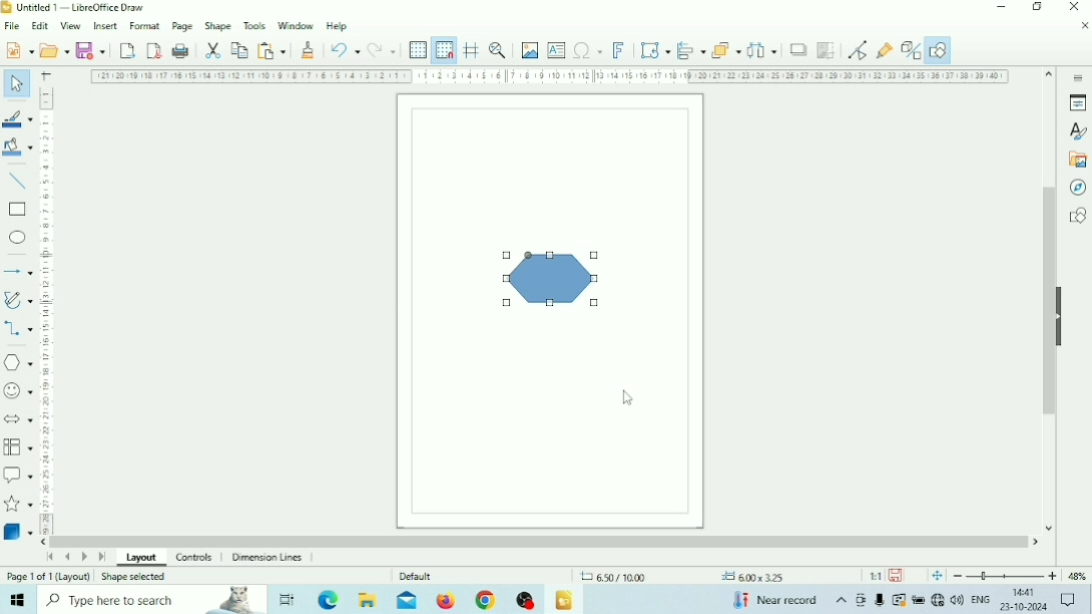  I want to click on Stars and Banners, so click(19, 505).